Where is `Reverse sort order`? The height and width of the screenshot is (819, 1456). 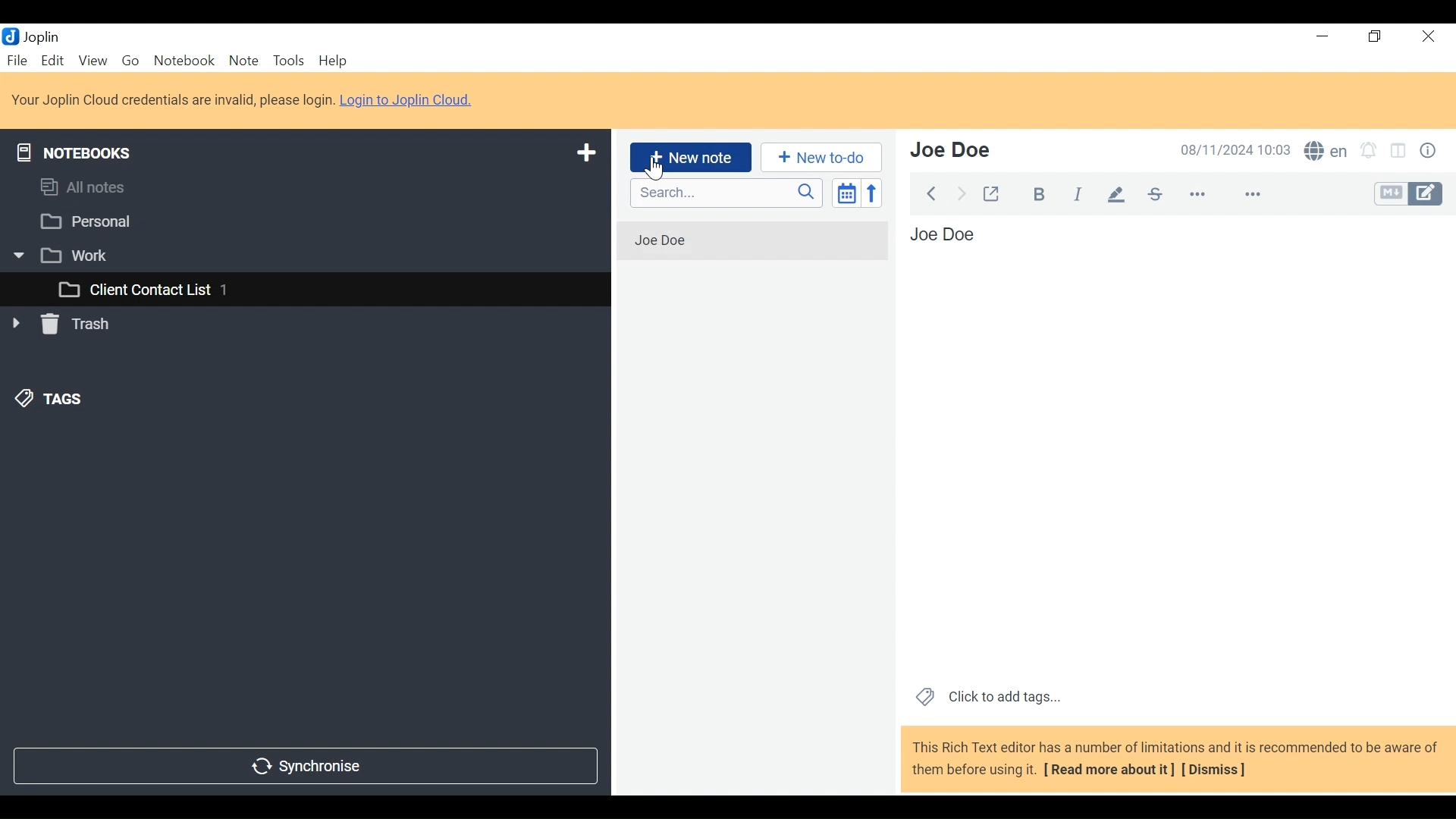 Reverse sort order is located at coordinates (871, 193).